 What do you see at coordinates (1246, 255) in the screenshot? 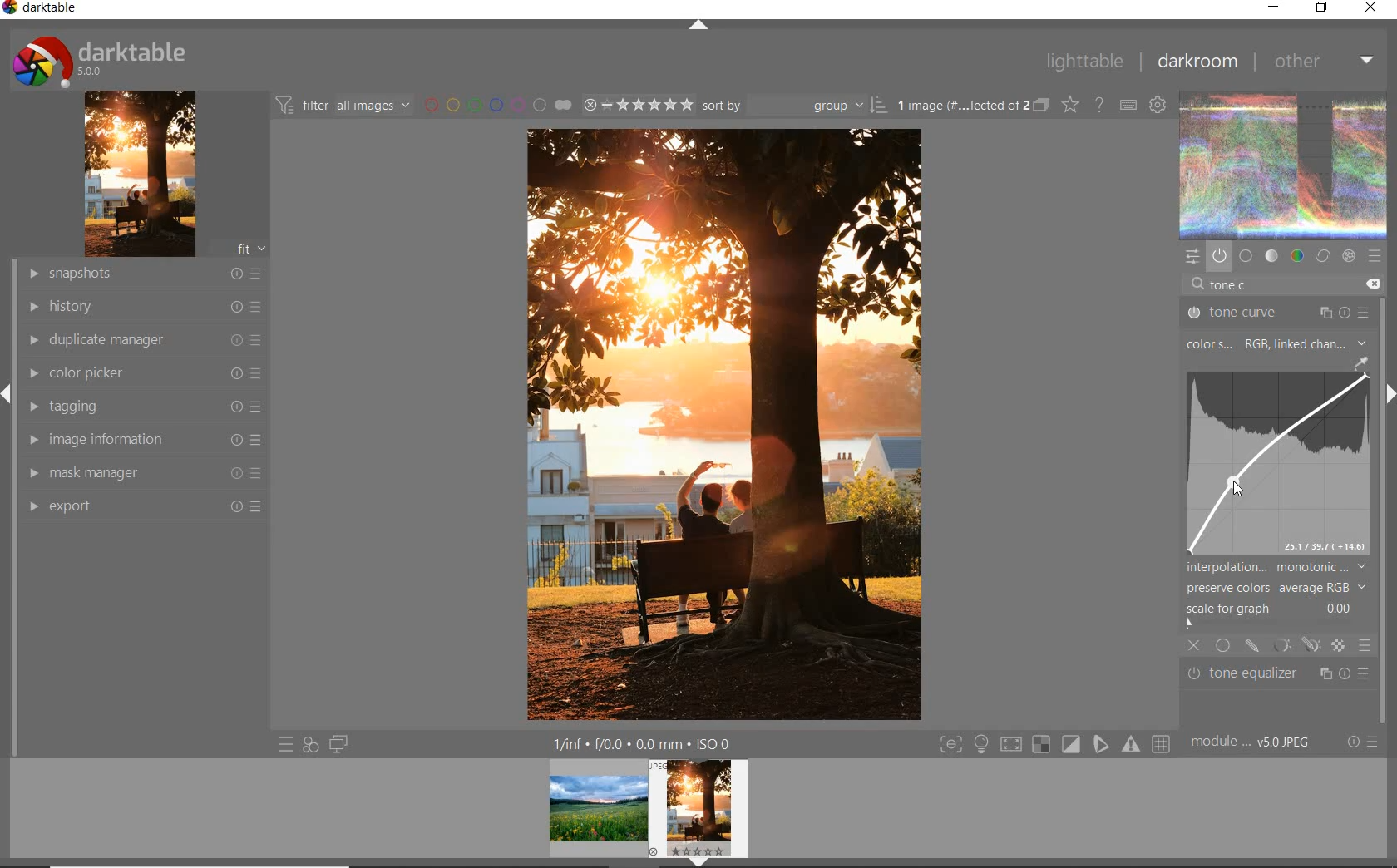
I see `base` at bounding box center [1246, 255].